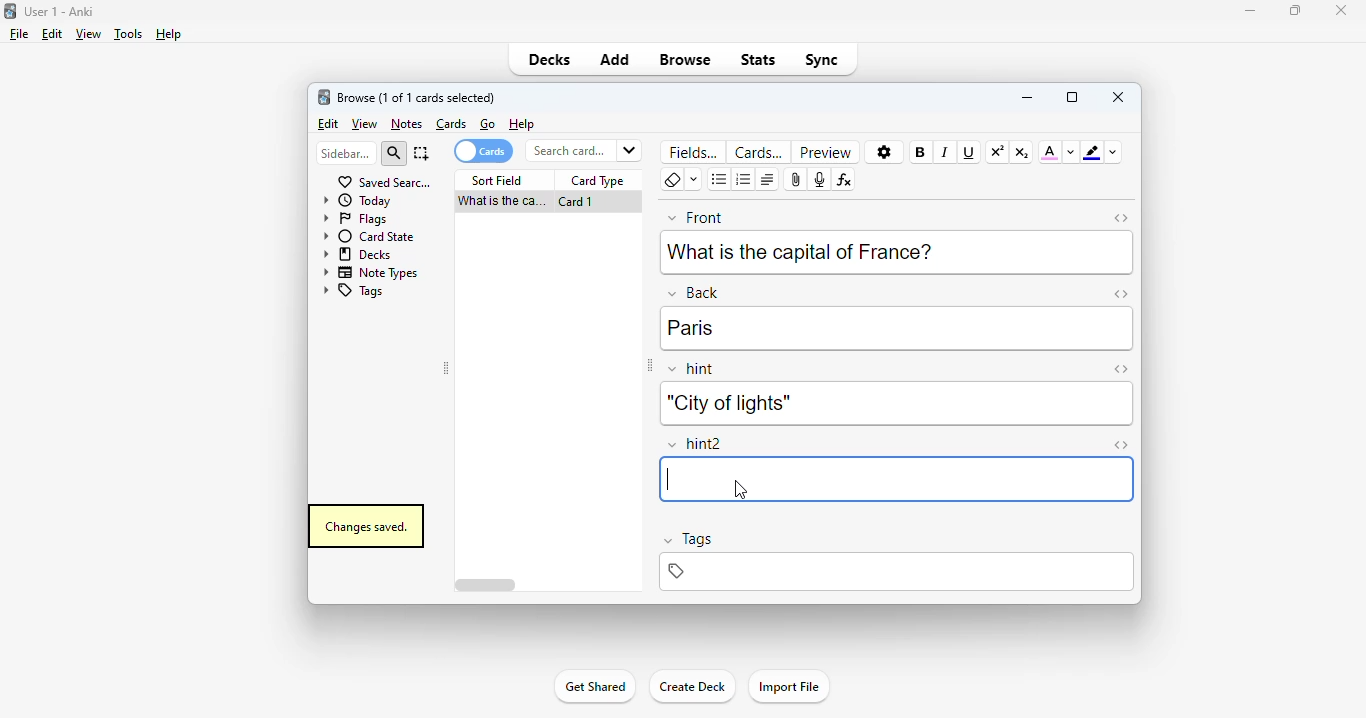 This screenshot has width=1366, height=718. I want to click on sort field, so click(497, 181).